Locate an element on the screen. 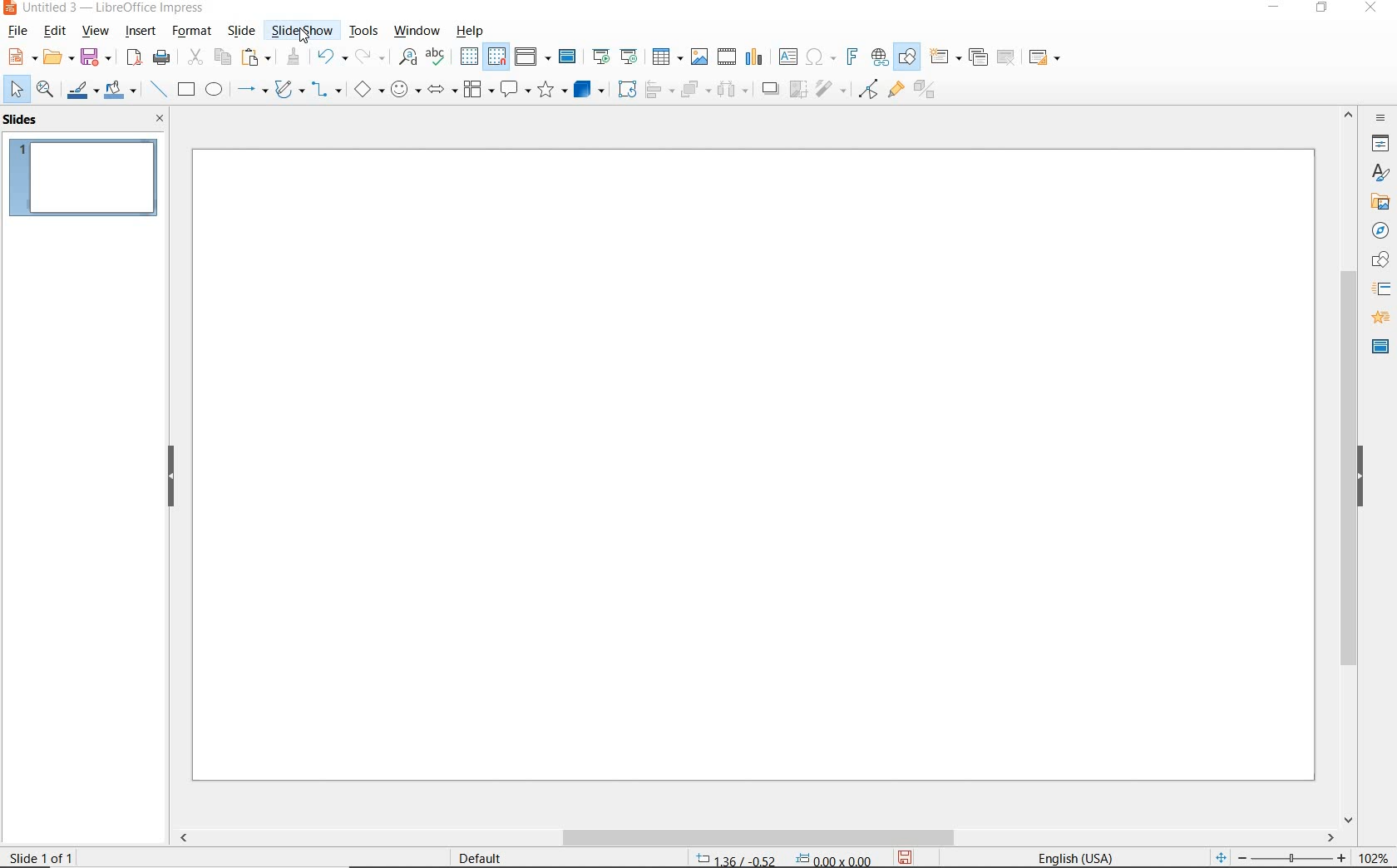  FIND AND REPLACE is located at coordinates (407, 58).